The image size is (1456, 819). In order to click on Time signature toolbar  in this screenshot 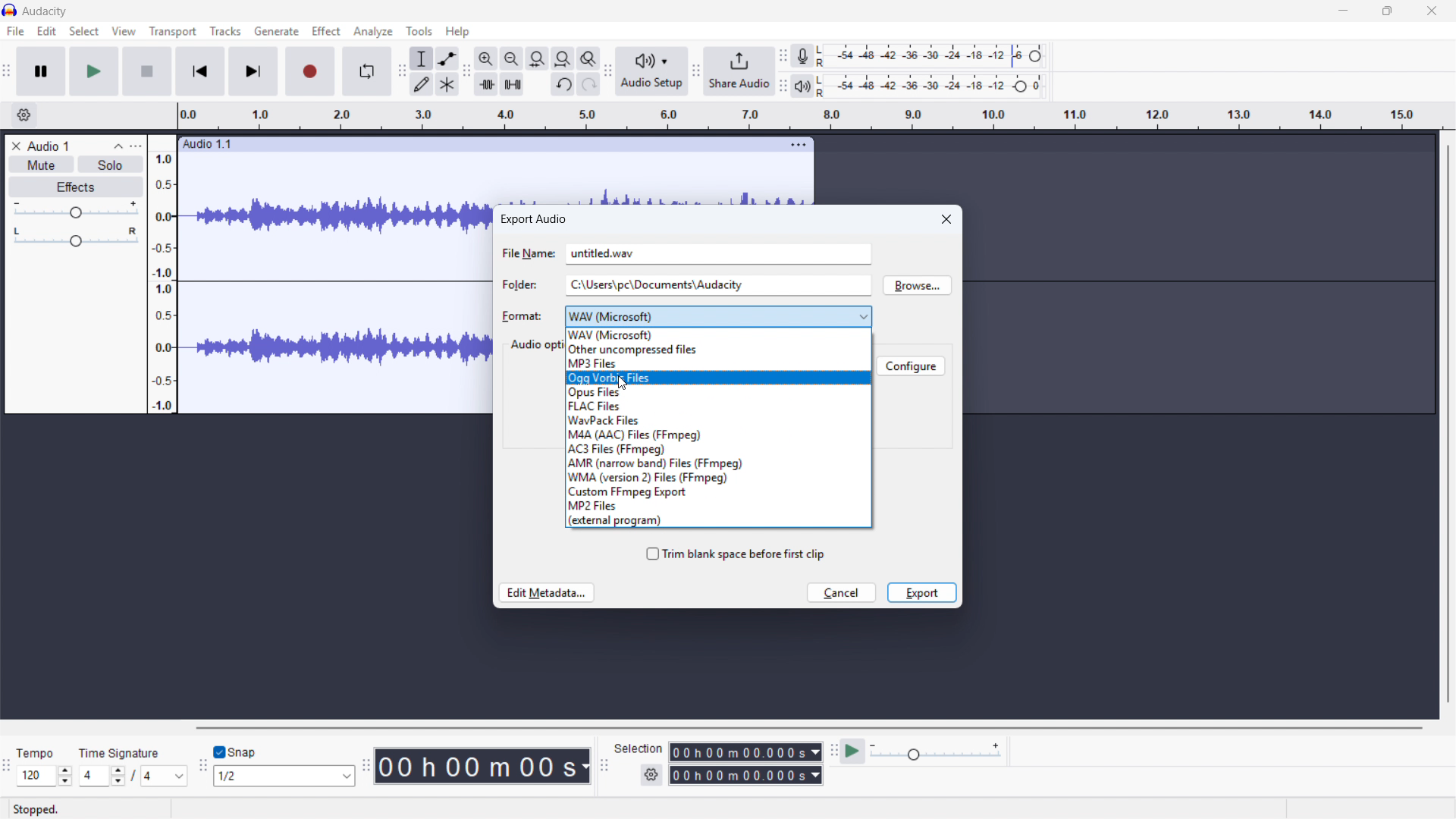, I will do `click(7, 768)`.